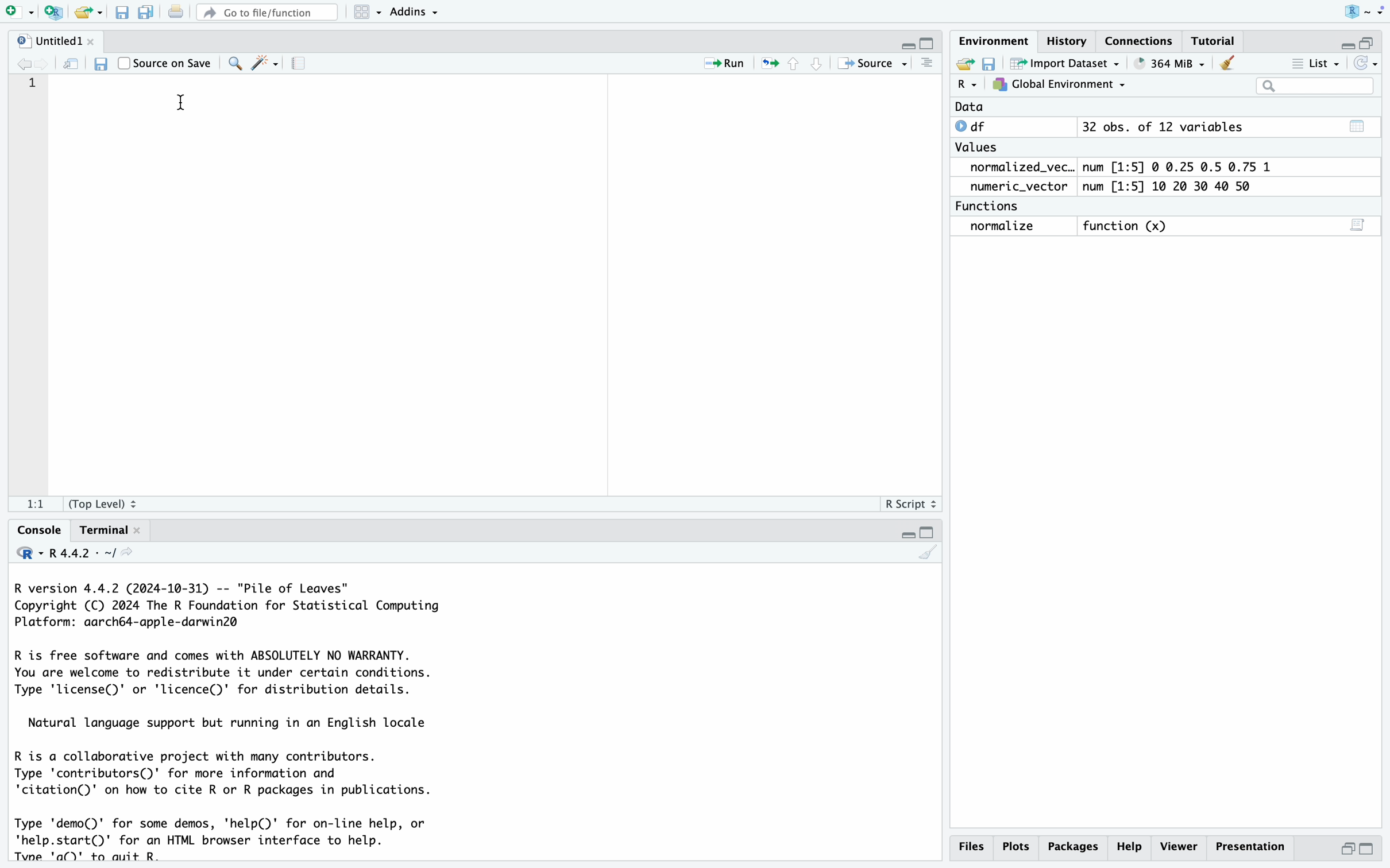  What do you see at coordinates (1068, 63) in the screenshot?
I see `Import Dataset` at bounding box center [1068, 63].